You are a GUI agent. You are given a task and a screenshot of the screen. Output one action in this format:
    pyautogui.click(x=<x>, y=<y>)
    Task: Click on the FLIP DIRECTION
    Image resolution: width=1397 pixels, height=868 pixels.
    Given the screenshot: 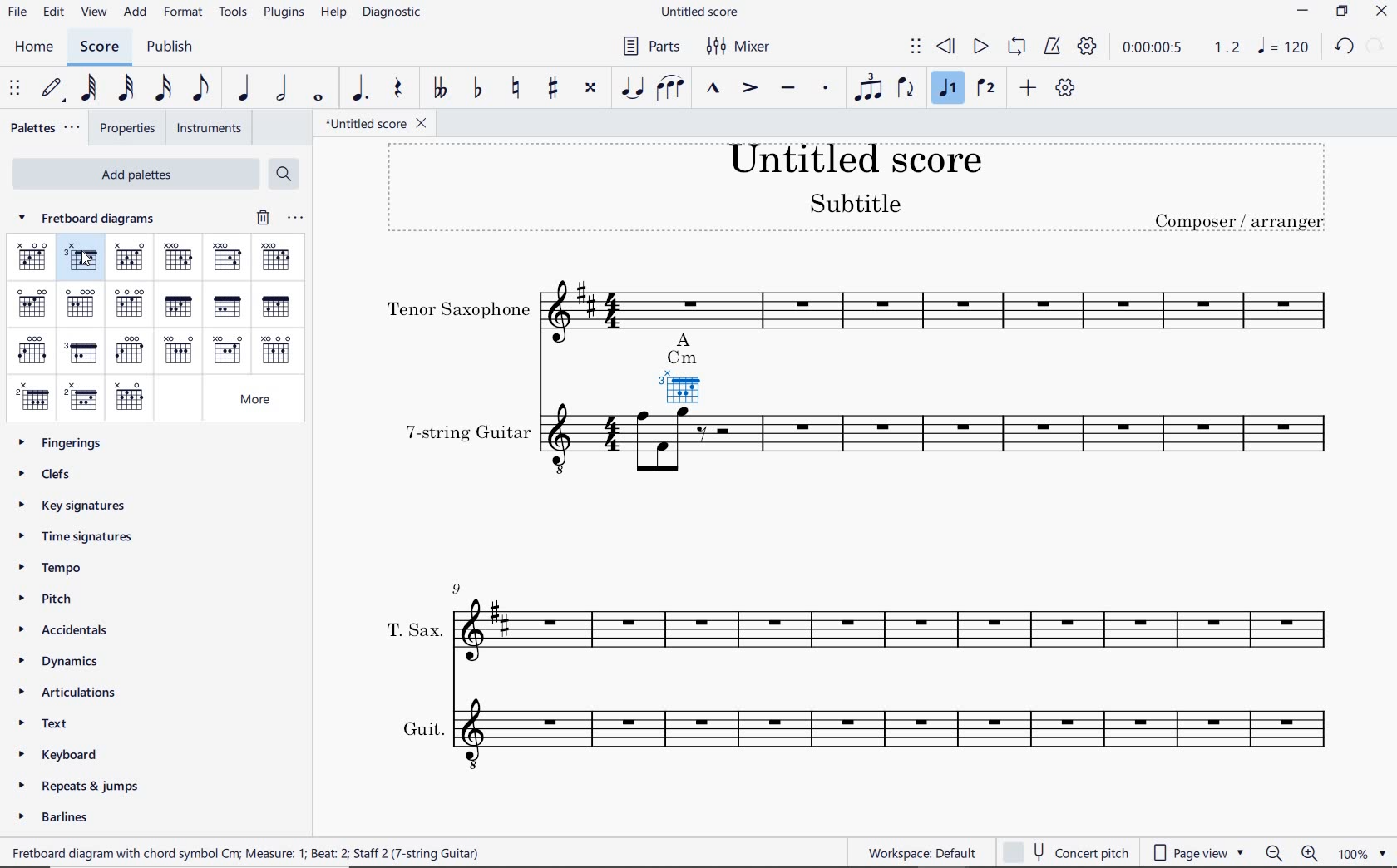 What is the action you would take?
    pyautogui.click(x=907, y=89)
    